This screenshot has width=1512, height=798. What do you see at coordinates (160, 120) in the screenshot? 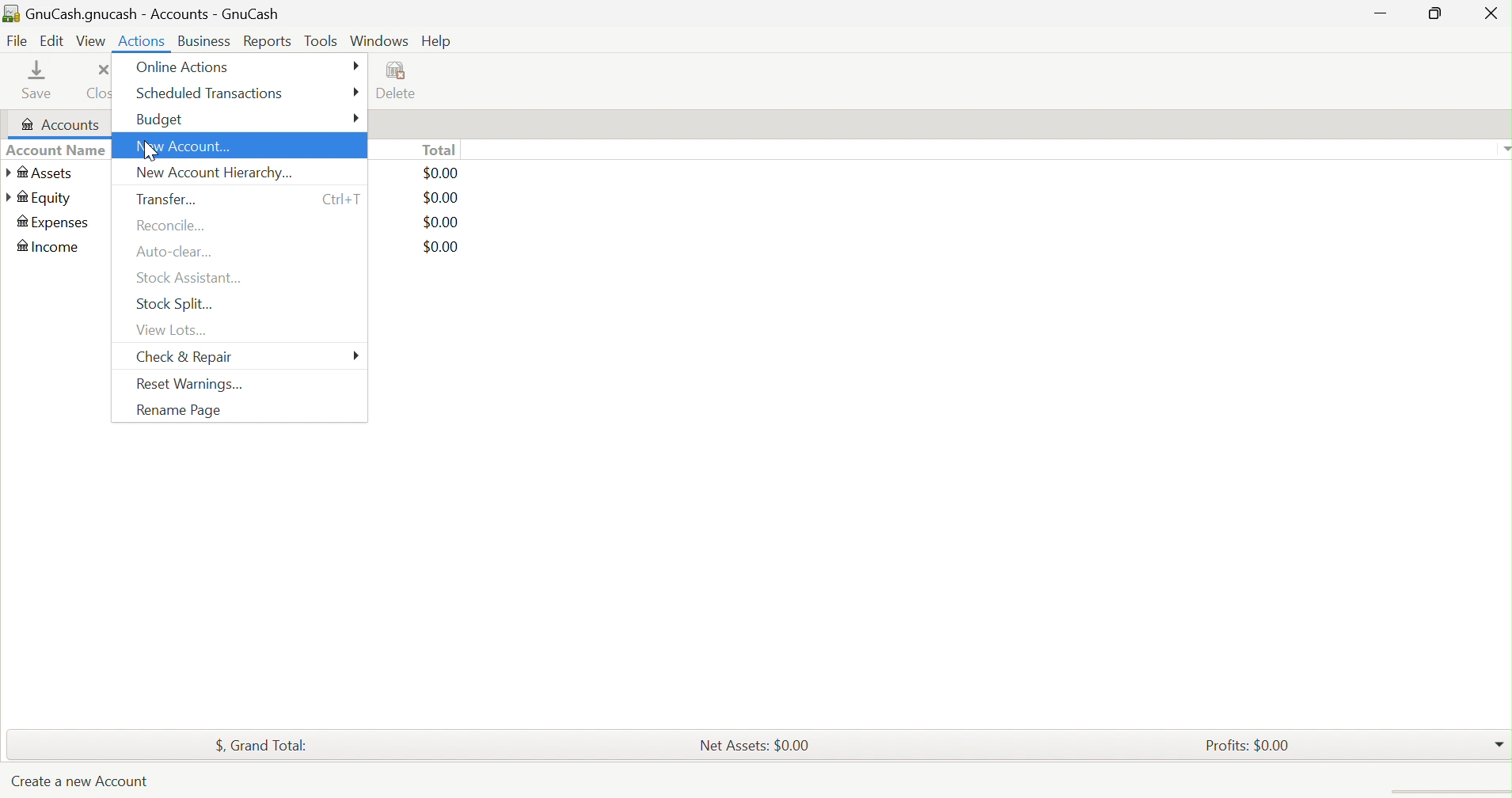
I see `Budget` at bounding box center [160, 120].